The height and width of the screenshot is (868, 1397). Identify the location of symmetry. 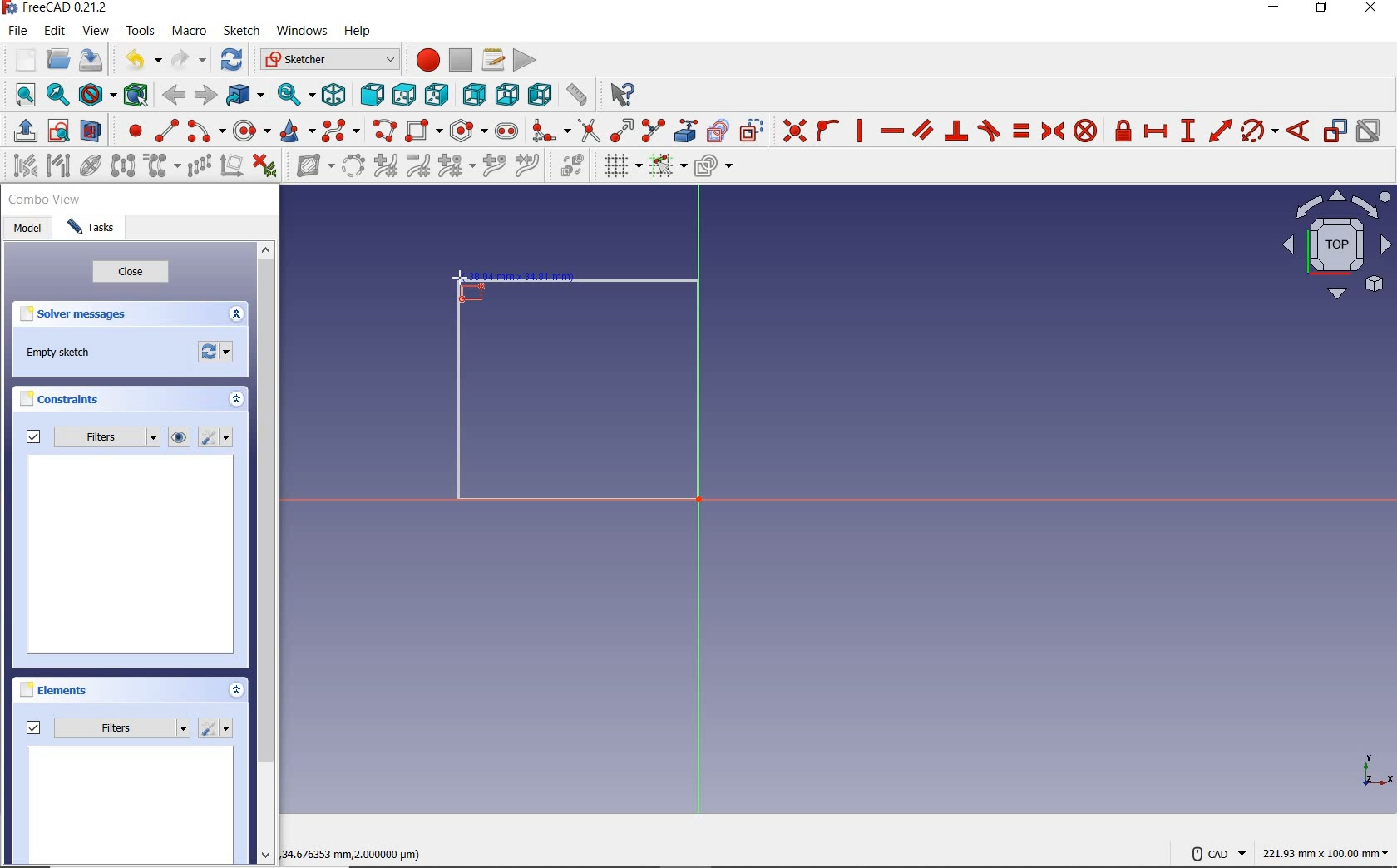
(122, 165).